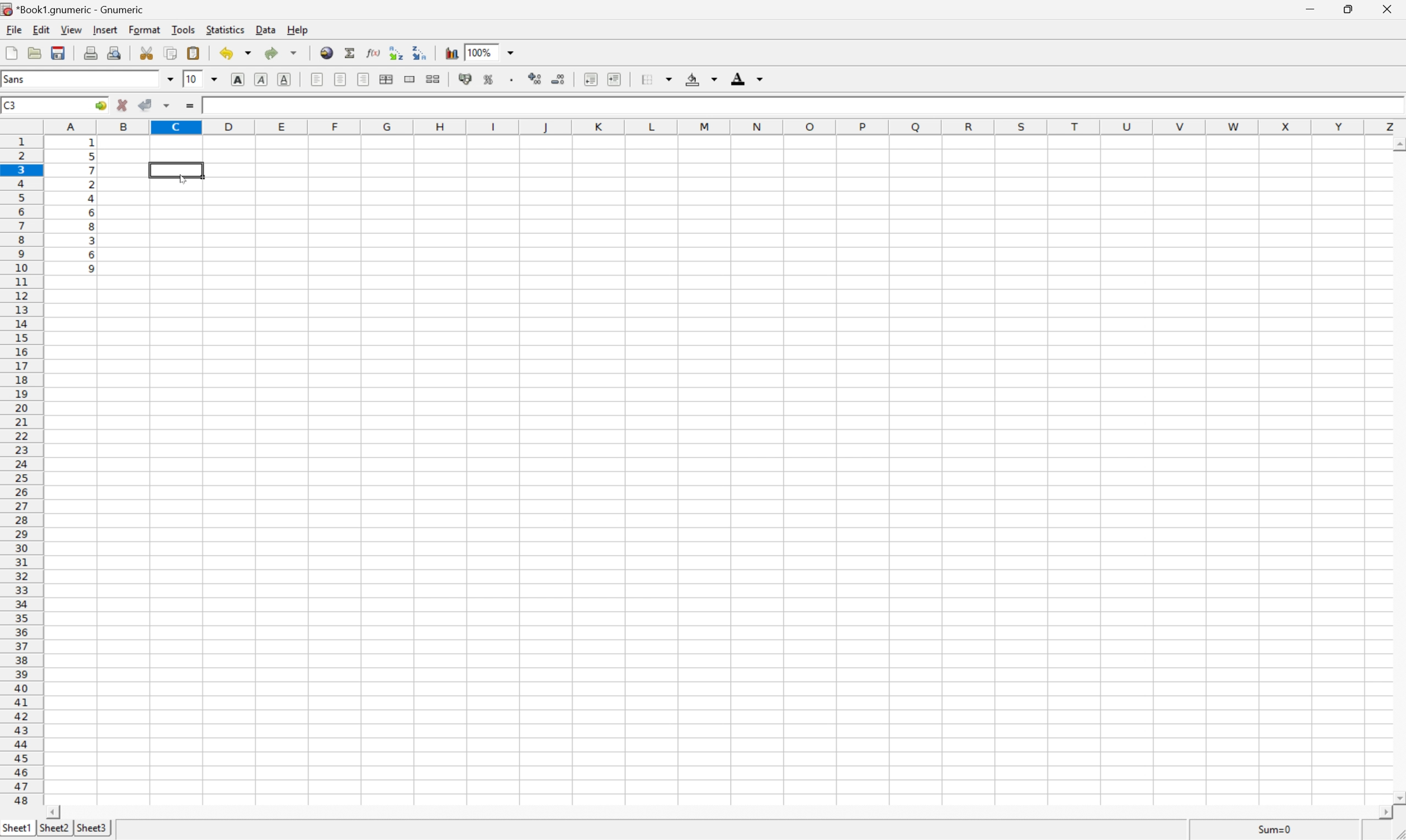  I want to click on align left, so click(317, 80).